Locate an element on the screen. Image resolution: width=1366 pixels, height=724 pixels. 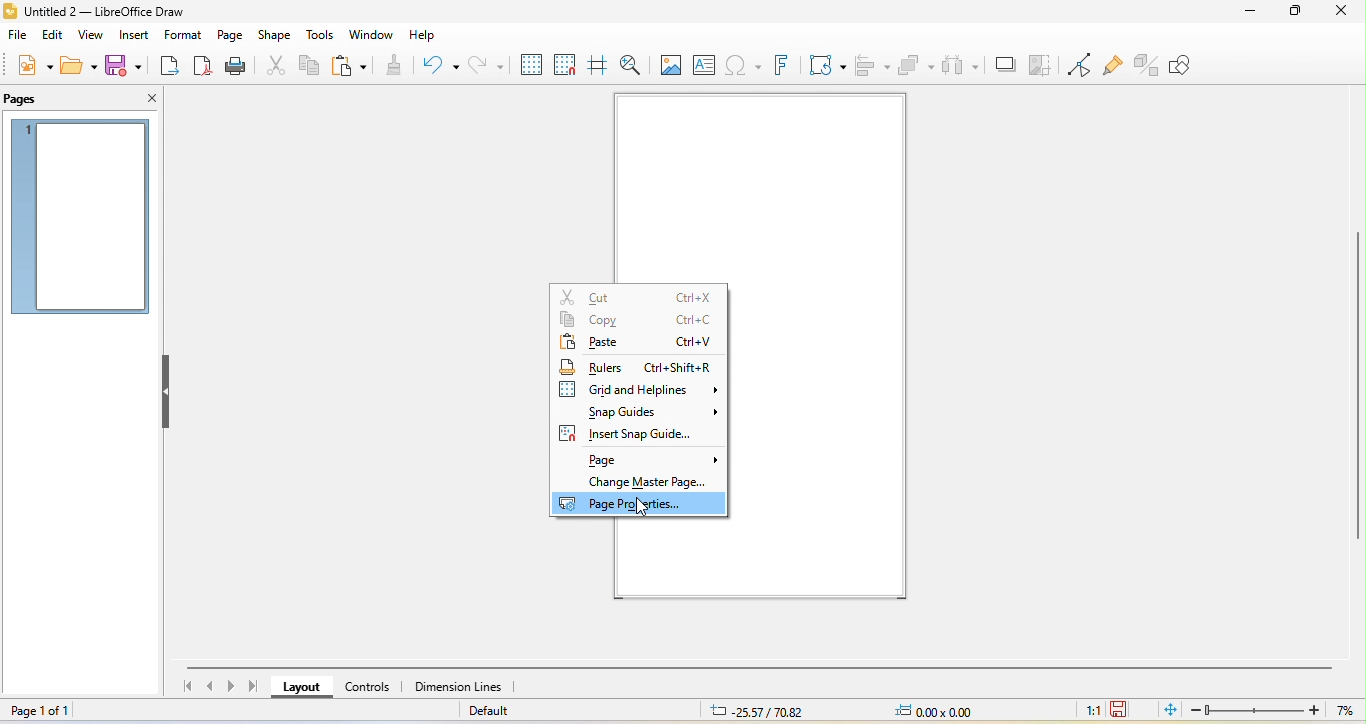
crop image is located at coordinates (1045, 66).